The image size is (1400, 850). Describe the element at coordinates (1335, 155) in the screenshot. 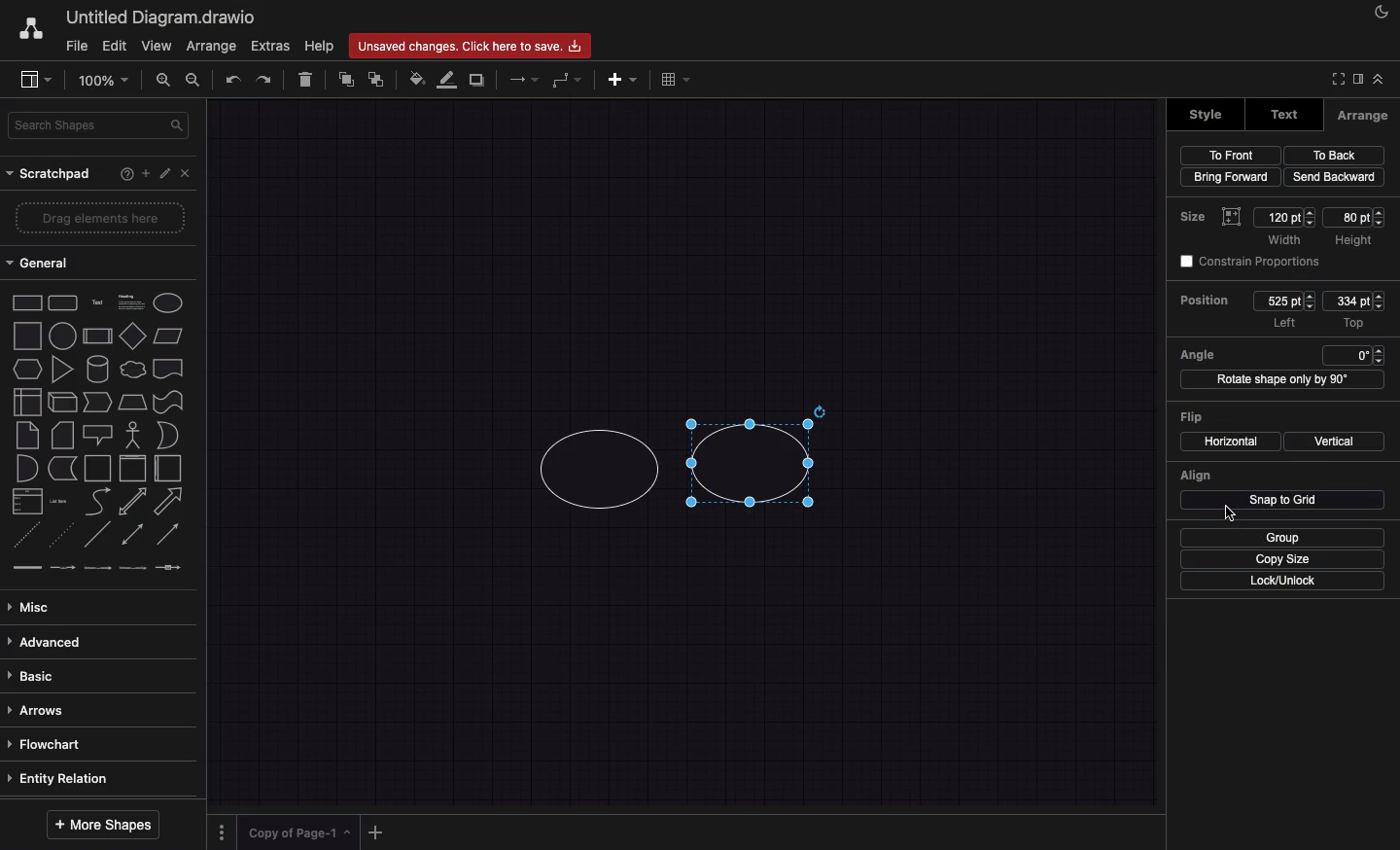

I see `to back` at that location.